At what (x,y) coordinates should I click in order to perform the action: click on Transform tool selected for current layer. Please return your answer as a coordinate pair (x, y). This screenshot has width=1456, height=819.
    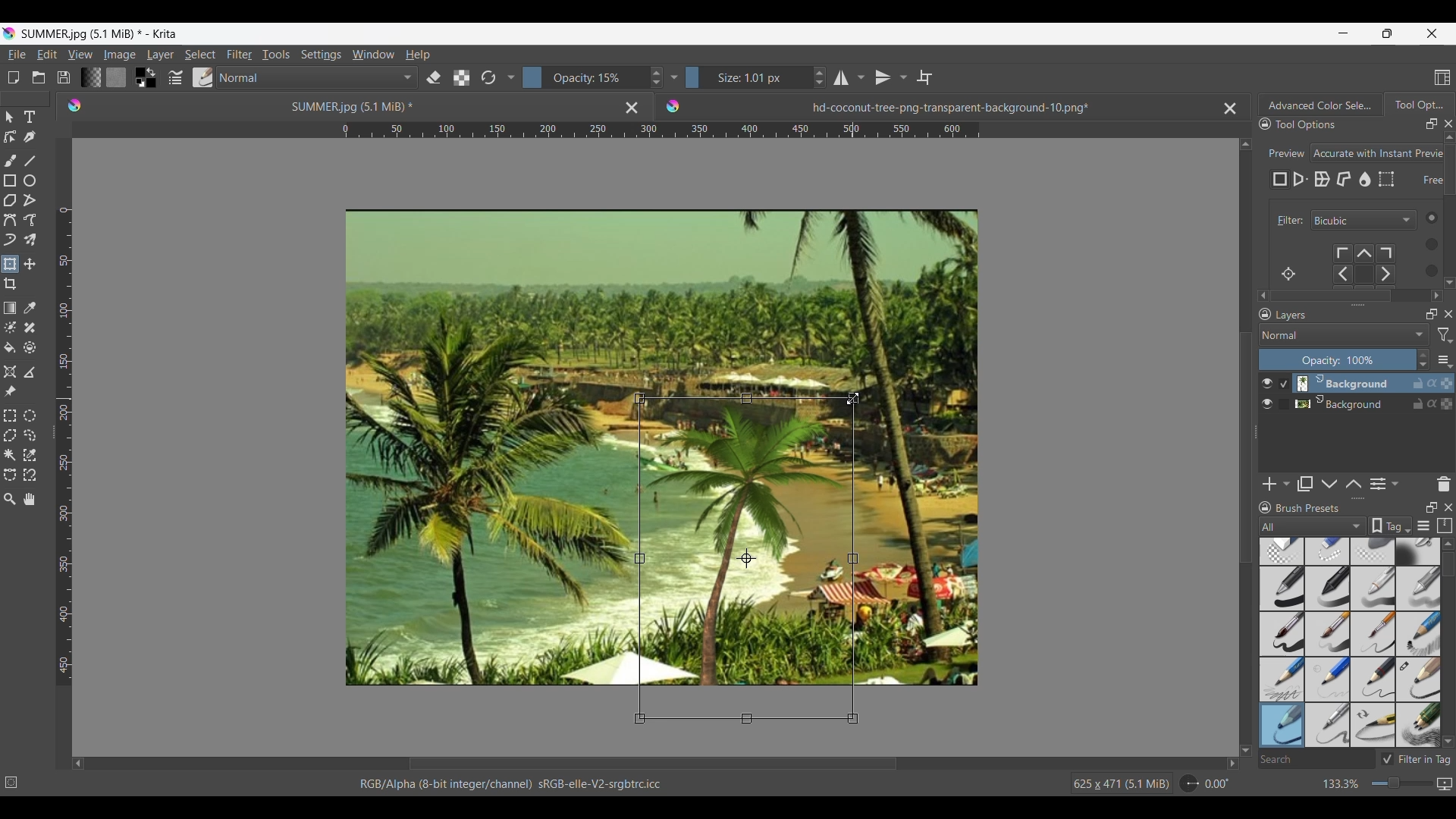
    Looking at the image, I should click on (745, 557).